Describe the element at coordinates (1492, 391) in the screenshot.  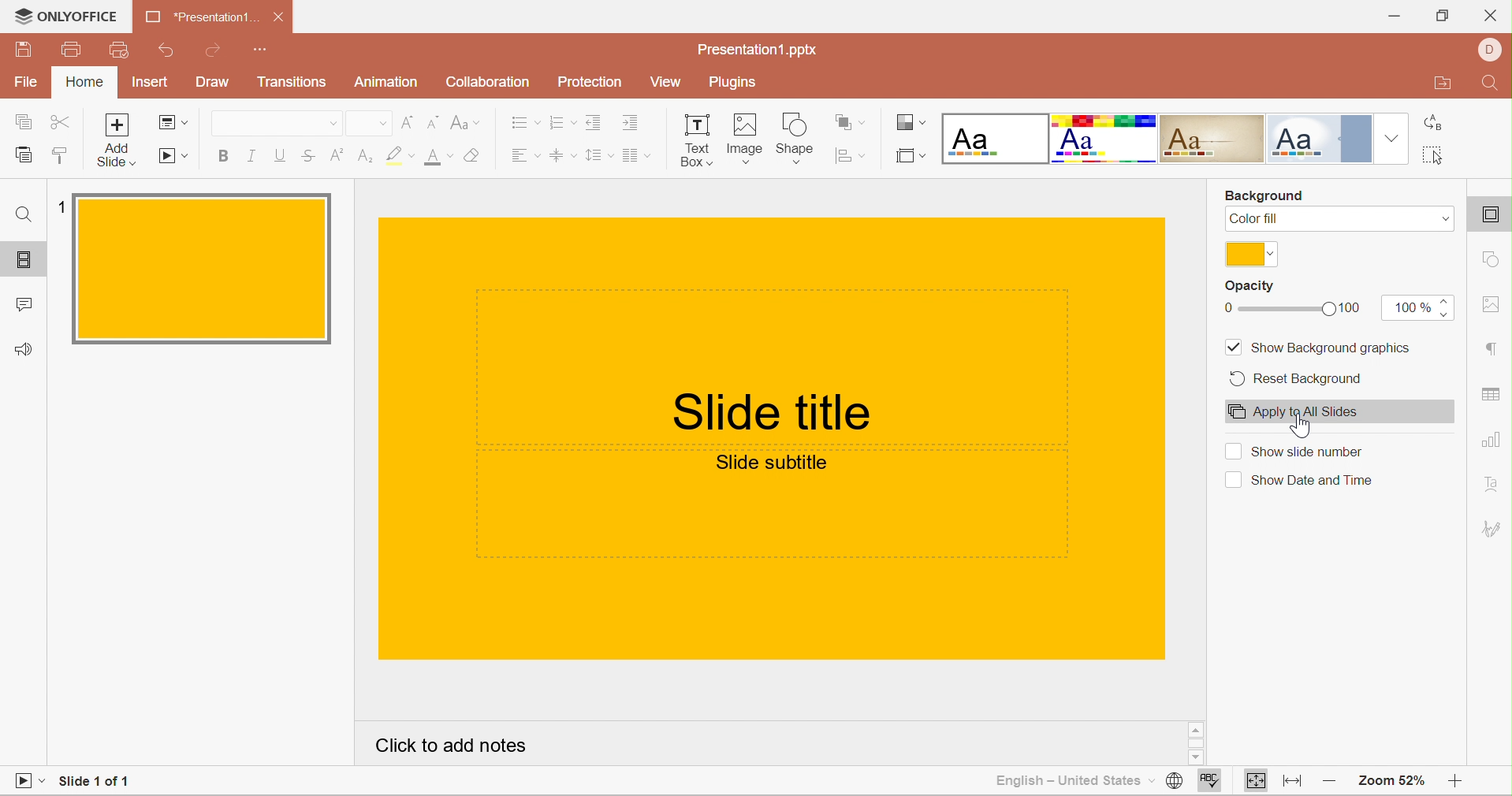
I see `table settings` at that location.